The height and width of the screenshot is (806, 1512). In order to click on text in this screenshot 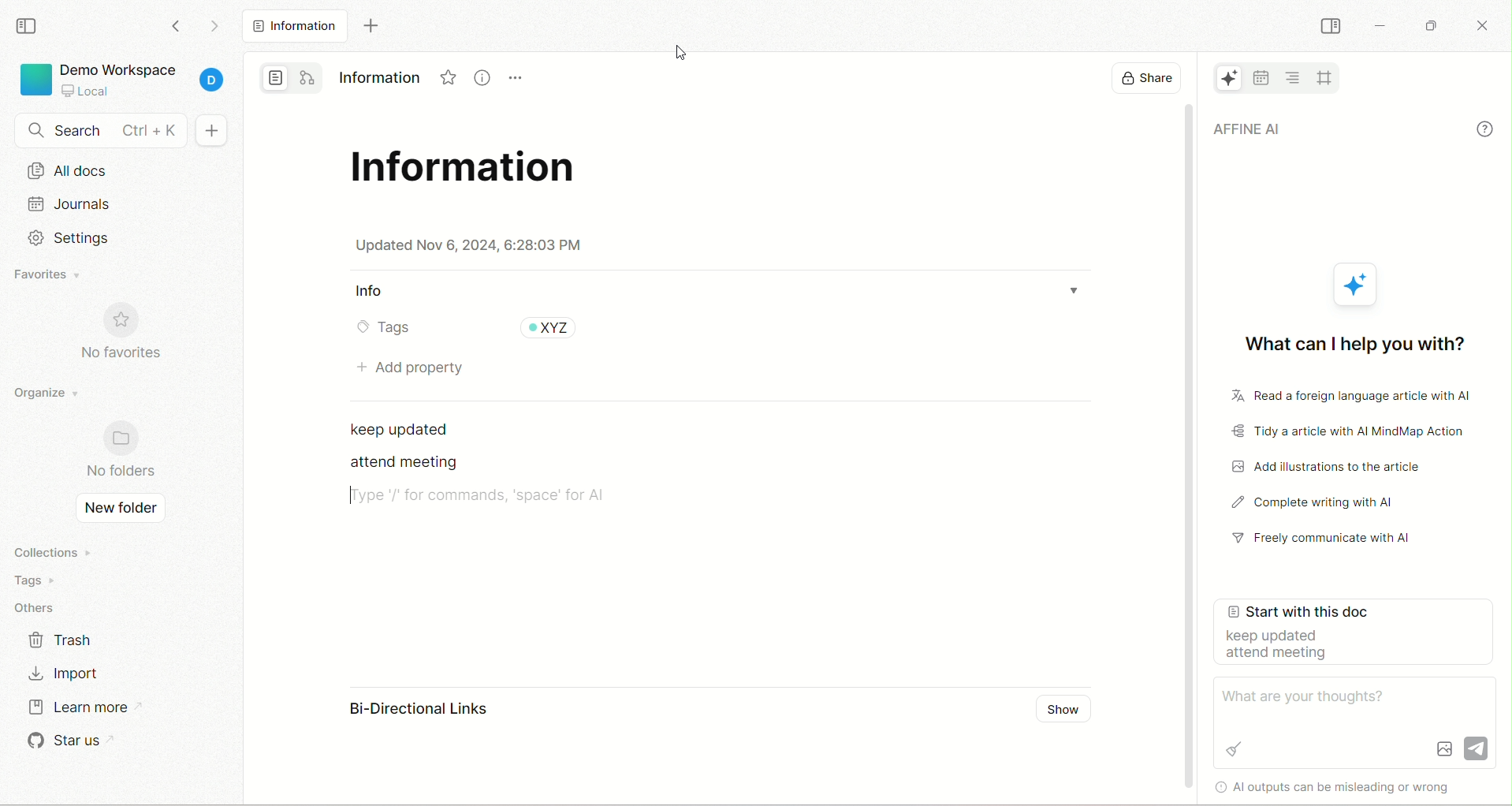, I will do `click(400, 464)`.